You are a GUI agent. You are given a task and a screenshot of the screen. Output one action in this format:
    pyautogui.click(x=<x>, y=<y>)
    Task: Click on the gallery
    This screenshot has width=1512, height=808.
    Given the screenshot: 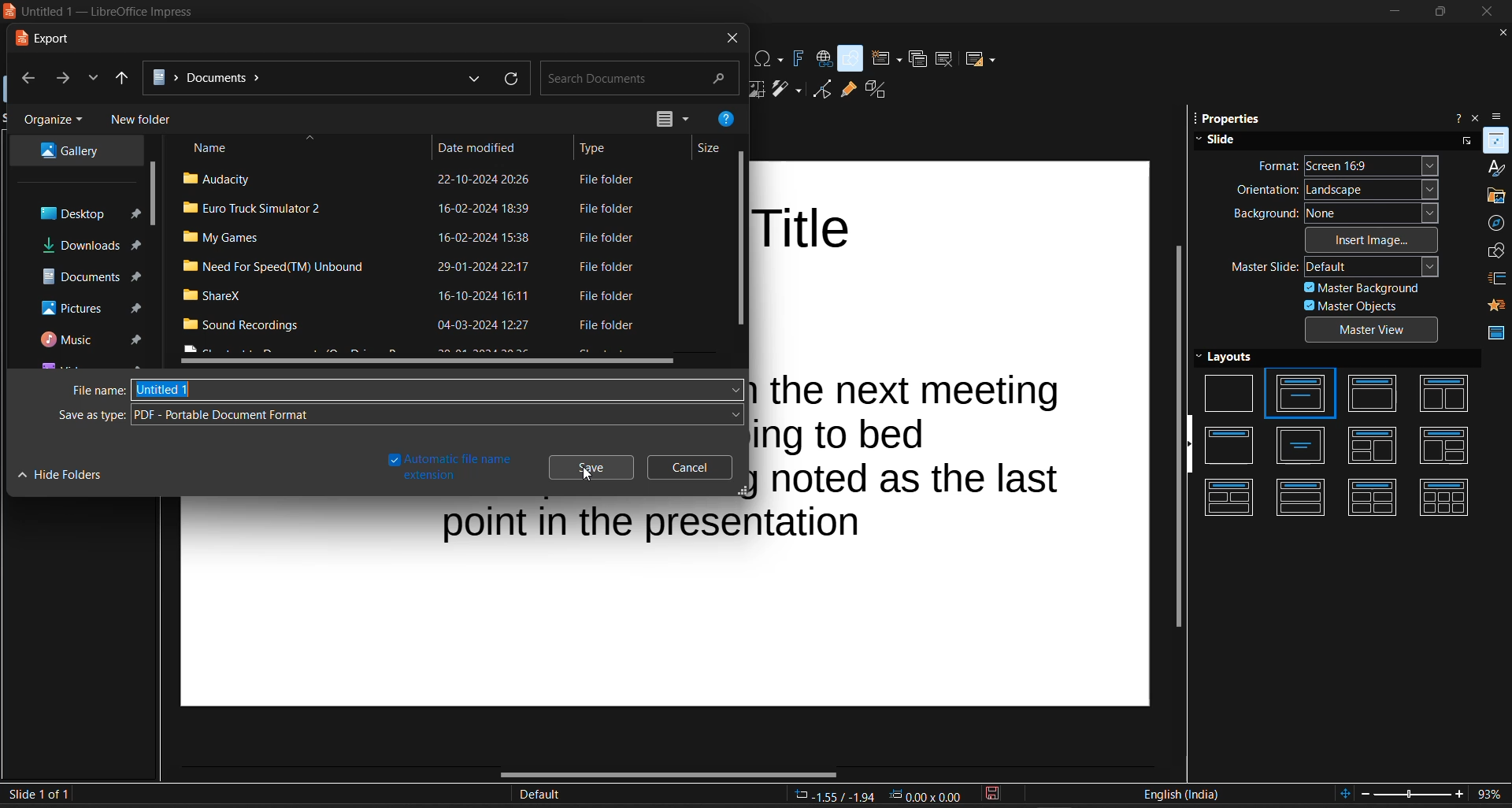 What is the action you would take?
    pyautogui.click(x=1494, y=196)
    